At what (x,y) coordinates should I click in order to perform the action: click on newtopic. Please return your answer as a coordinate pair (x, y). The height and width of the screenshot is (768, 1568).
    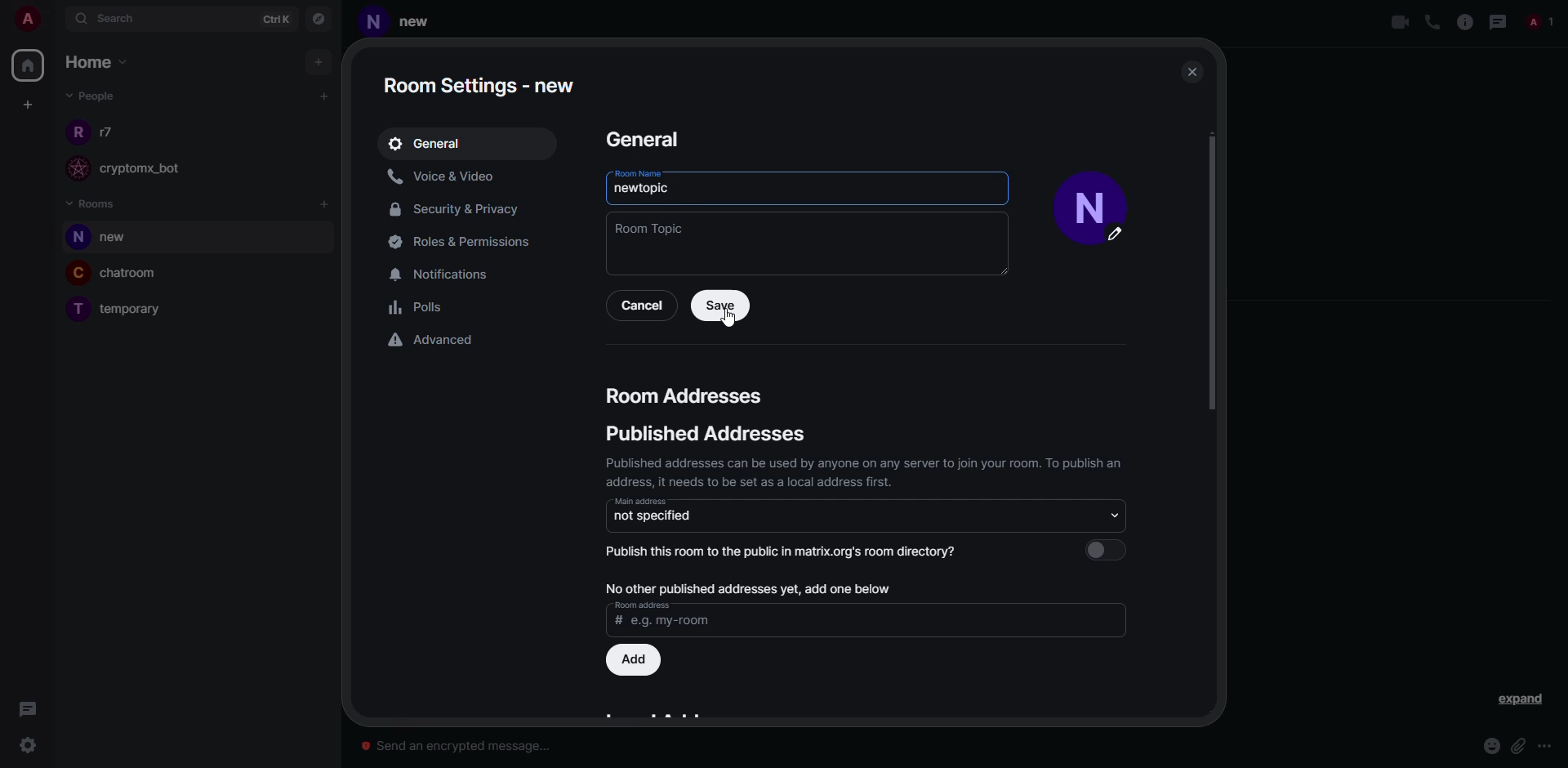
    Looking at the image, I should click on (644, 190).